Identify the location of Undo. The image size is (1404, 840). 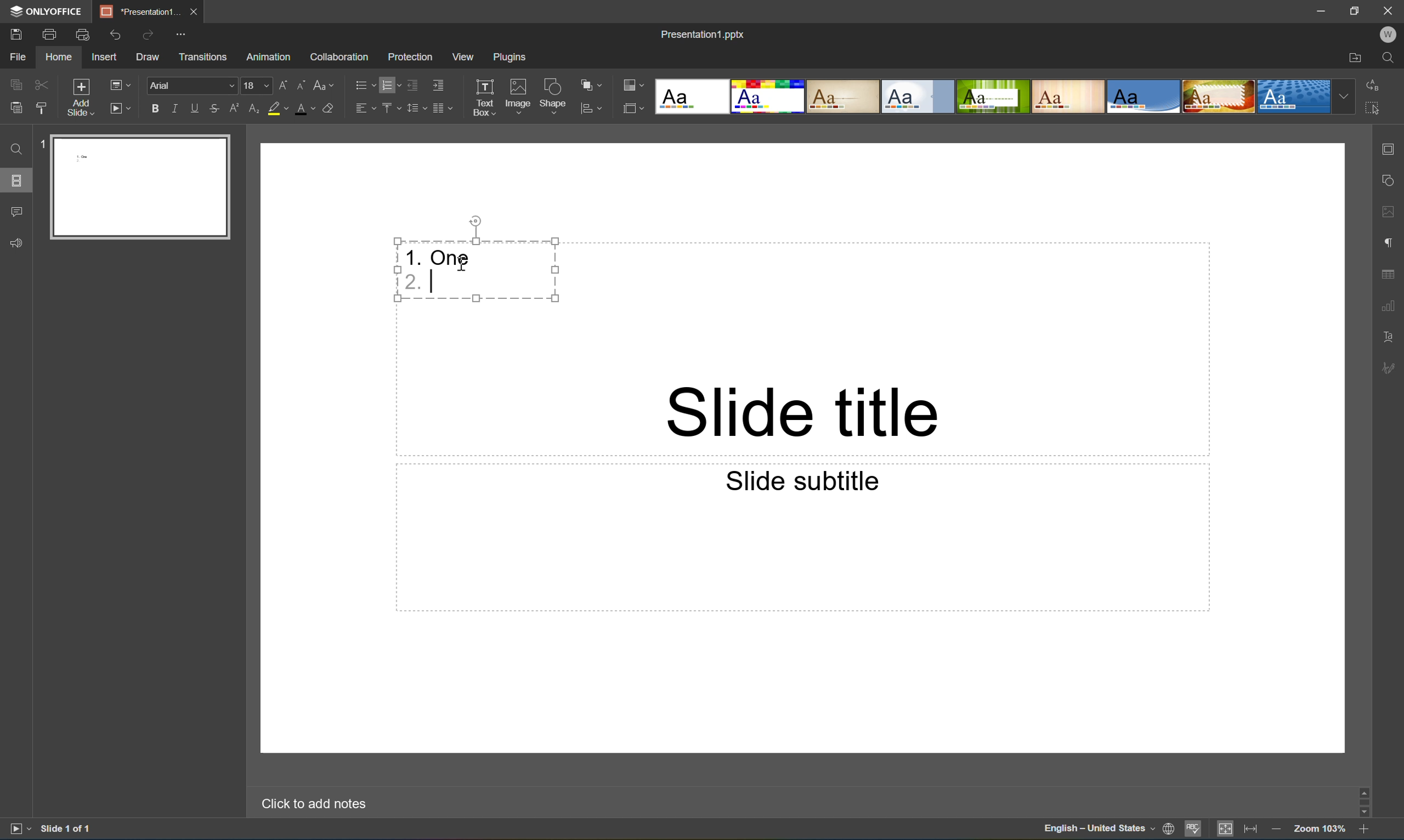
(121, 37).